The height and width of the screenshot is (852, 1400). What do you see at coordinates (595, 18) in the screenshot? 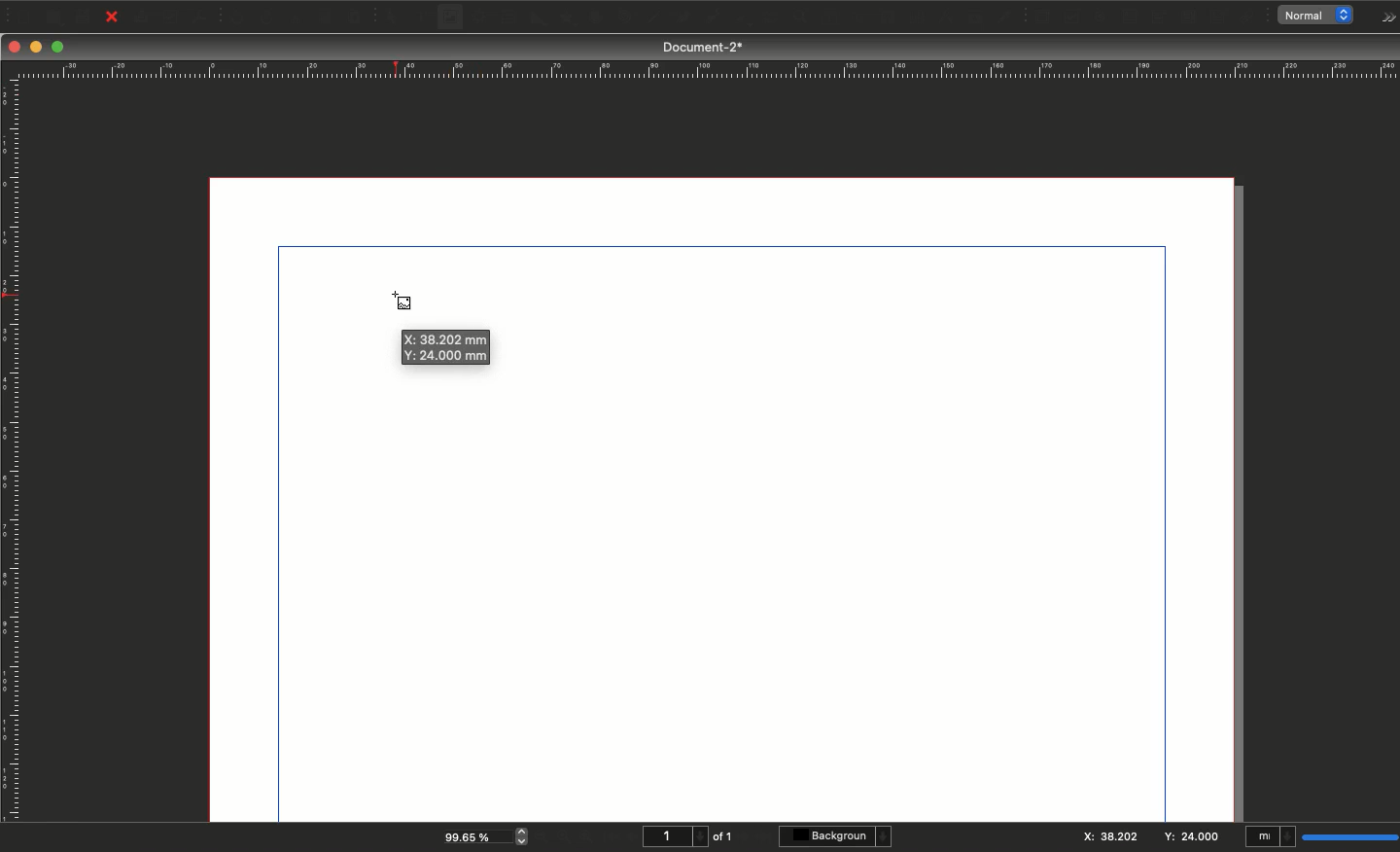
I see `Arc` at bounding box center [595, 18].